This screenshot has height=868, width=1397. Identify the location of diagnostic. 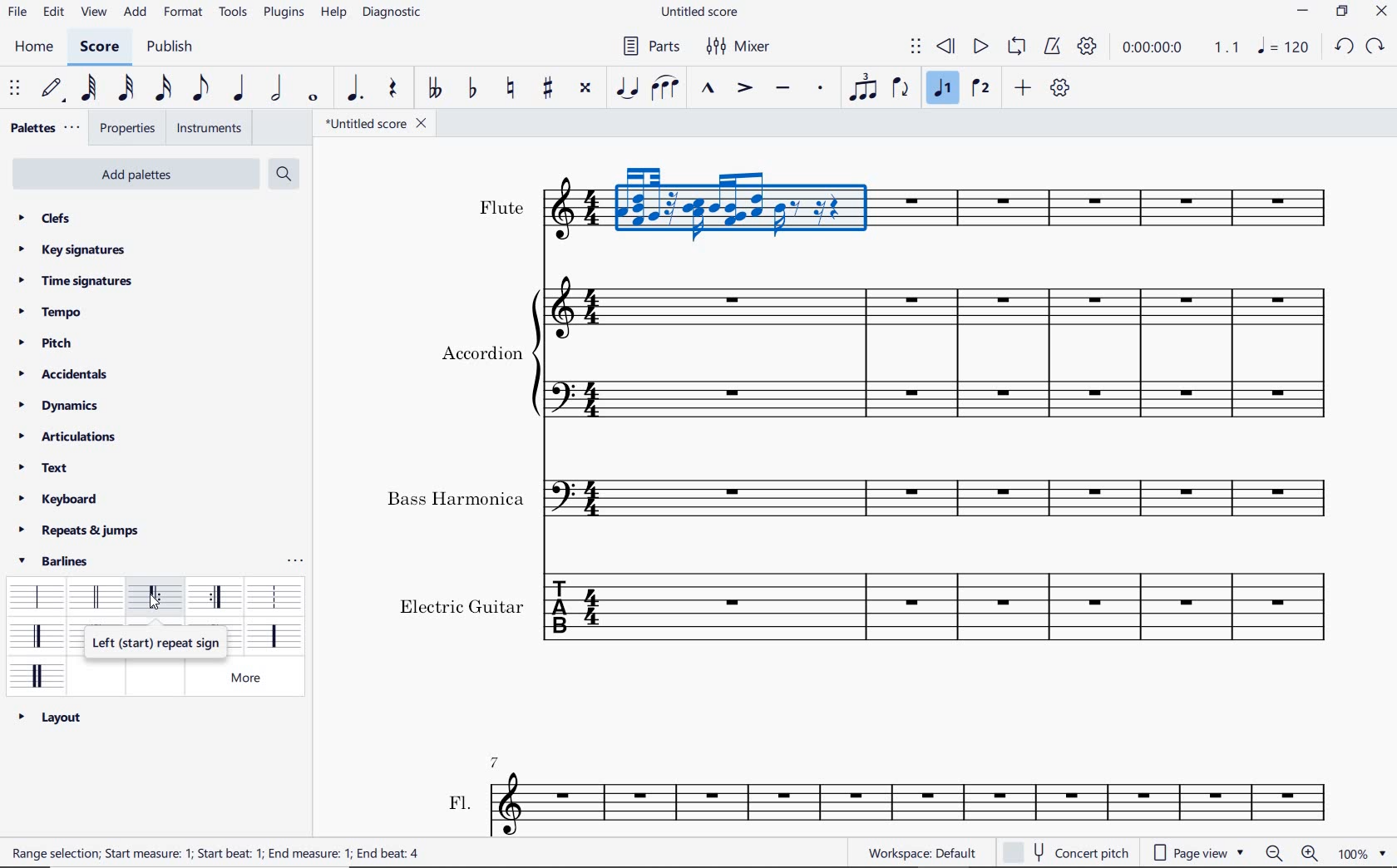
(393, 15).